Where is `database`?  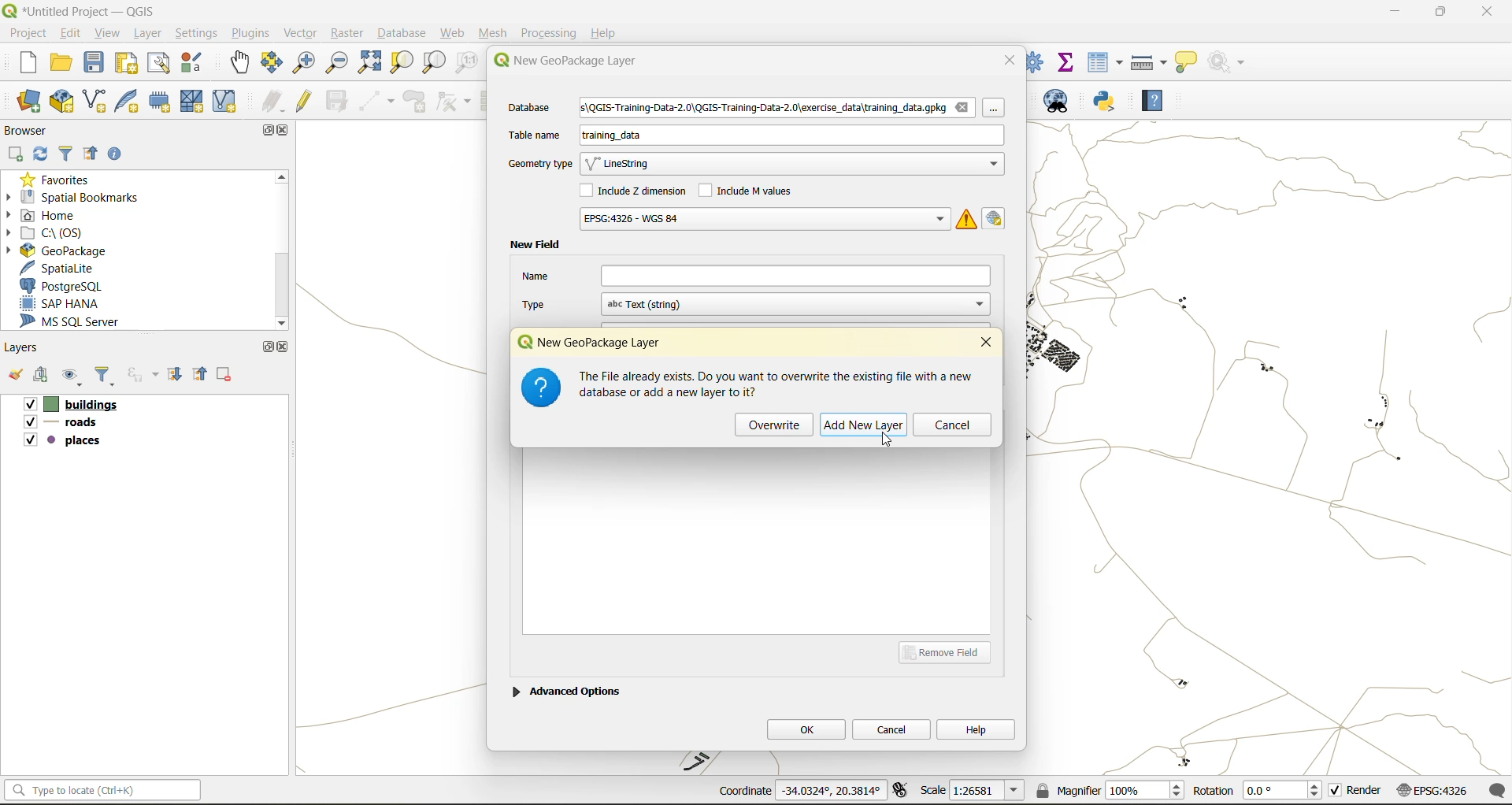
database is located at coordinates (406, 35).